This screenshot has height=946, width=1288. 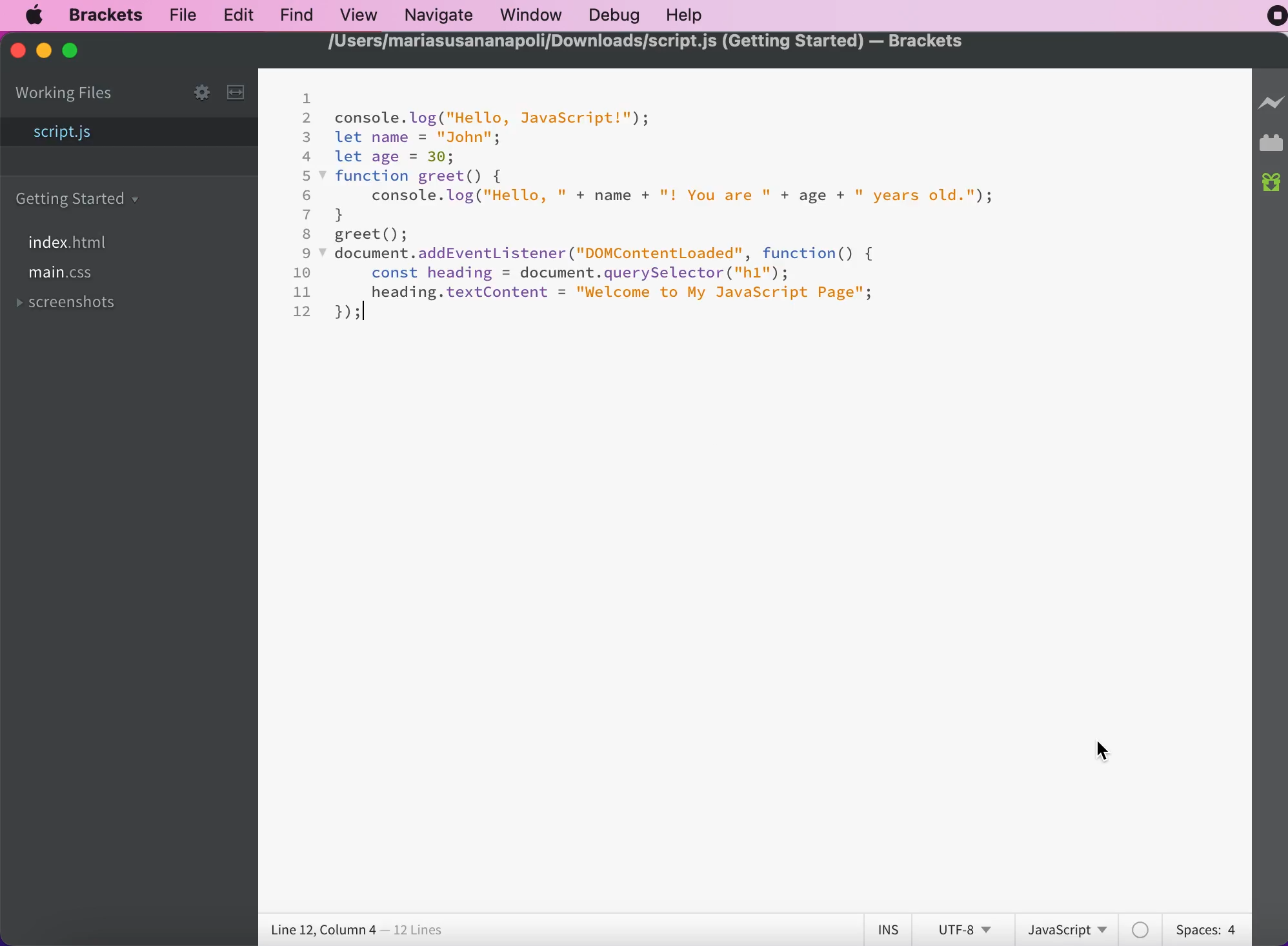 What do you see at coordinates (888, 930) in the screenshot?
I see `ins` at bounding box center [888, 930].